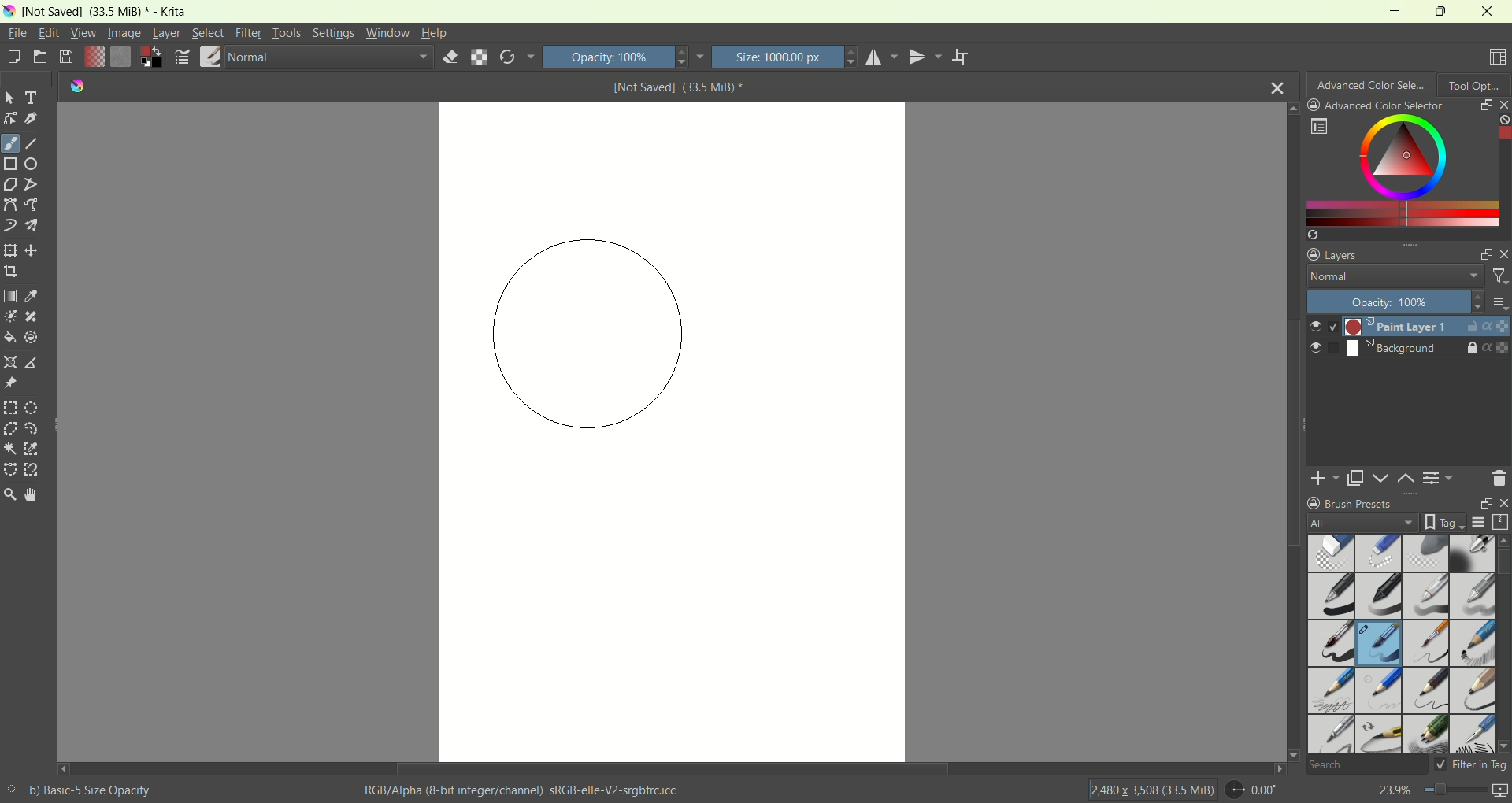  I want to click on sample a color, so click(31, 295).